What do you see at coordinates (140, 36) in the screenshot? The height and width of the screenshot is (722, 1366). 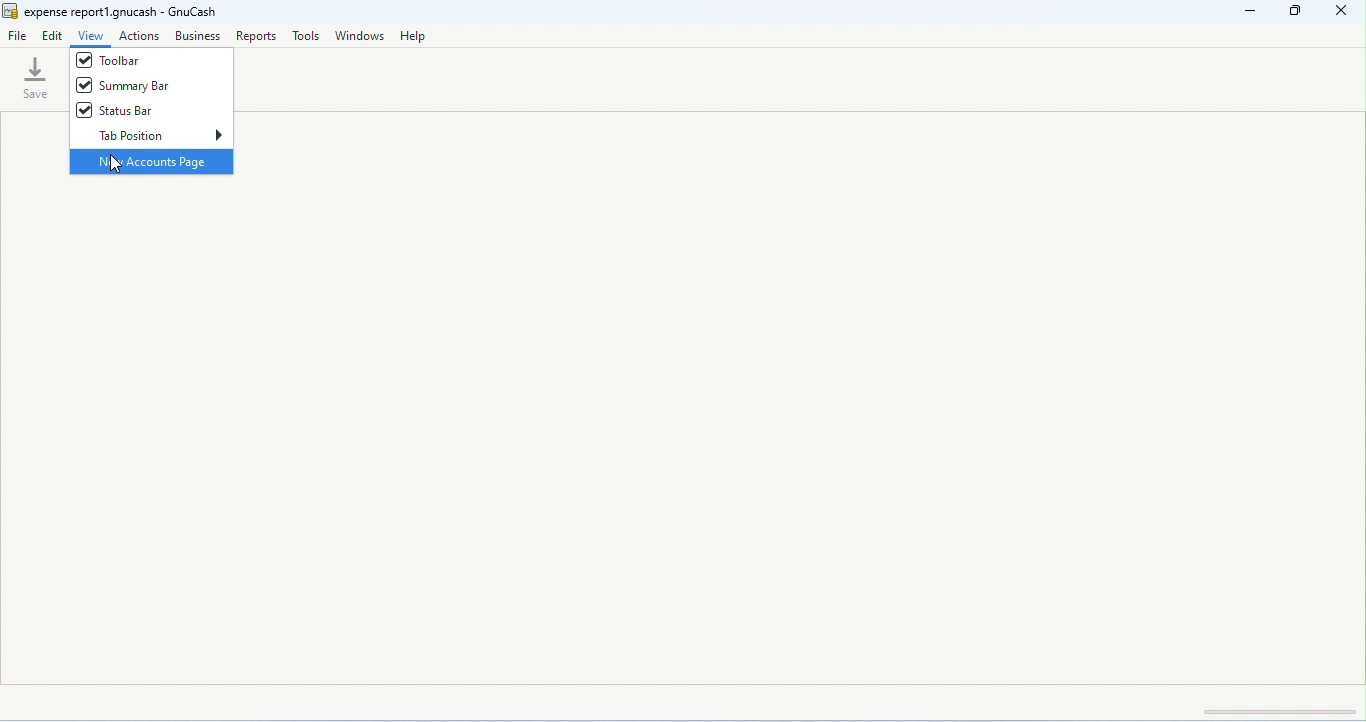 I see `actions` at bounding box center [140, 36].